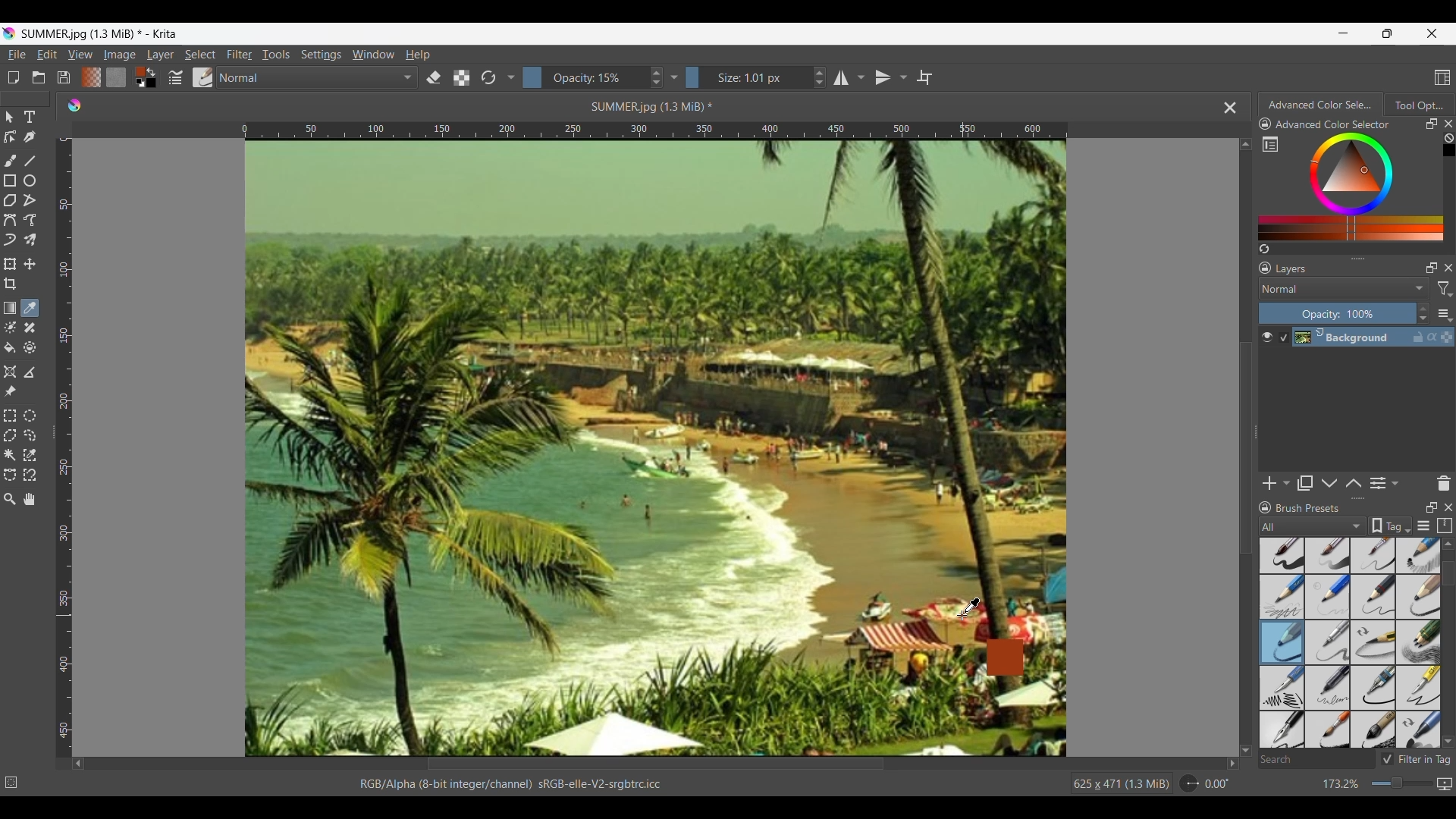 The image size is (1456, 819). What do you see at coordinates (924, 77) in the screenshot?
I see `Wrap around mode` at bounding box center [924, 77].